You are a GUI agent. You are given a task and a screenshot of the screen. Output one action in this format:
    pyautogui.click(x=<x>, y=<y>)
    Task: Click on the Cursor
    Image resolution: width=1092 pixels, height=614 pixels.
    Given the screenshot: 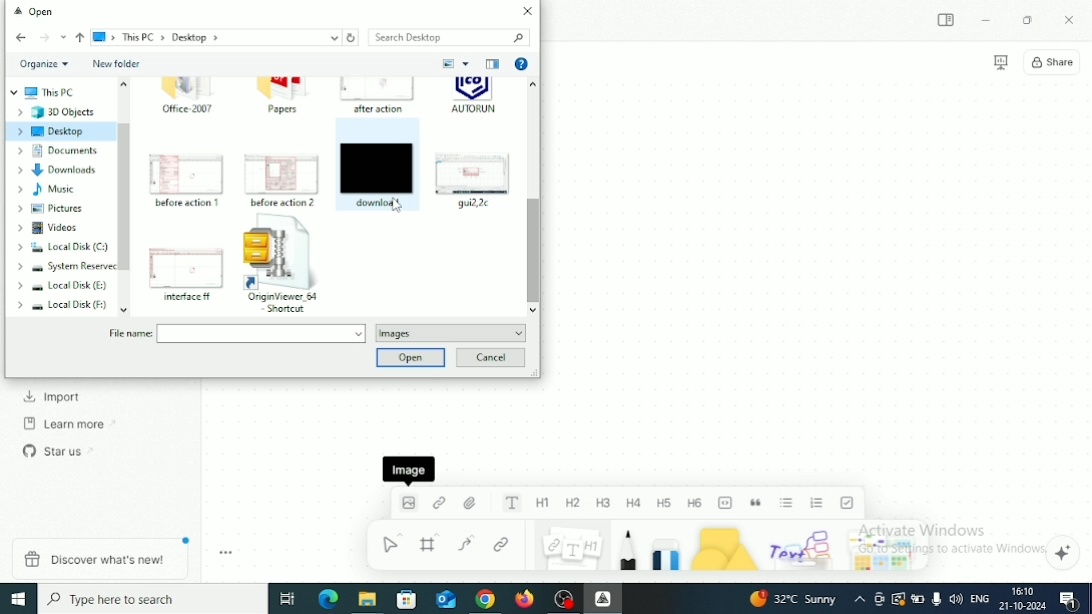 What is the action you would take?
    pyautogui.click(x=397, y=206)
    